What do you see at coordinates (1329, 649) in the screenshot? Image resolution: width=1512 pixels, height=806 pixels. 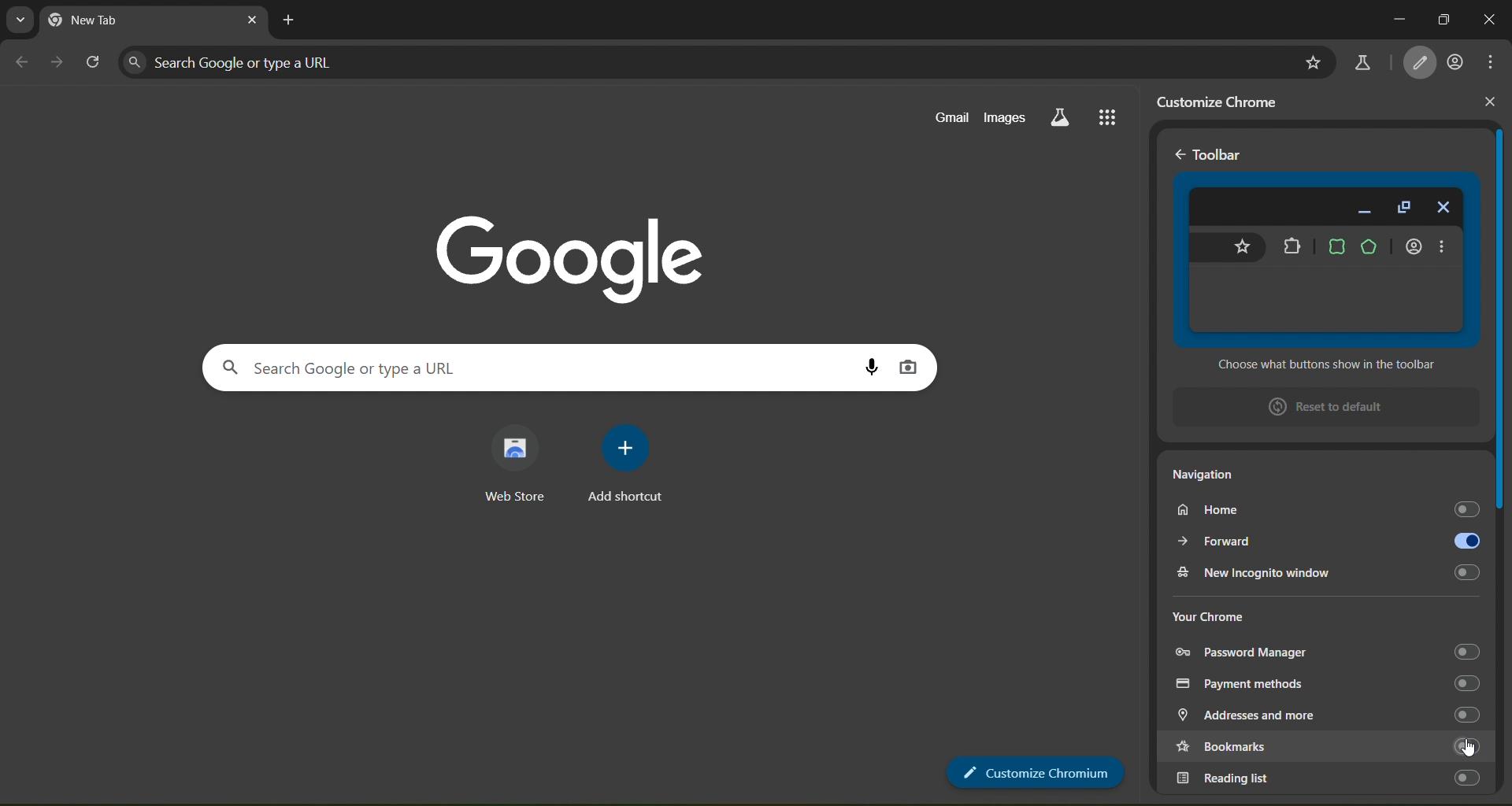 I see `password manager` at bounding box center [1329, 649].